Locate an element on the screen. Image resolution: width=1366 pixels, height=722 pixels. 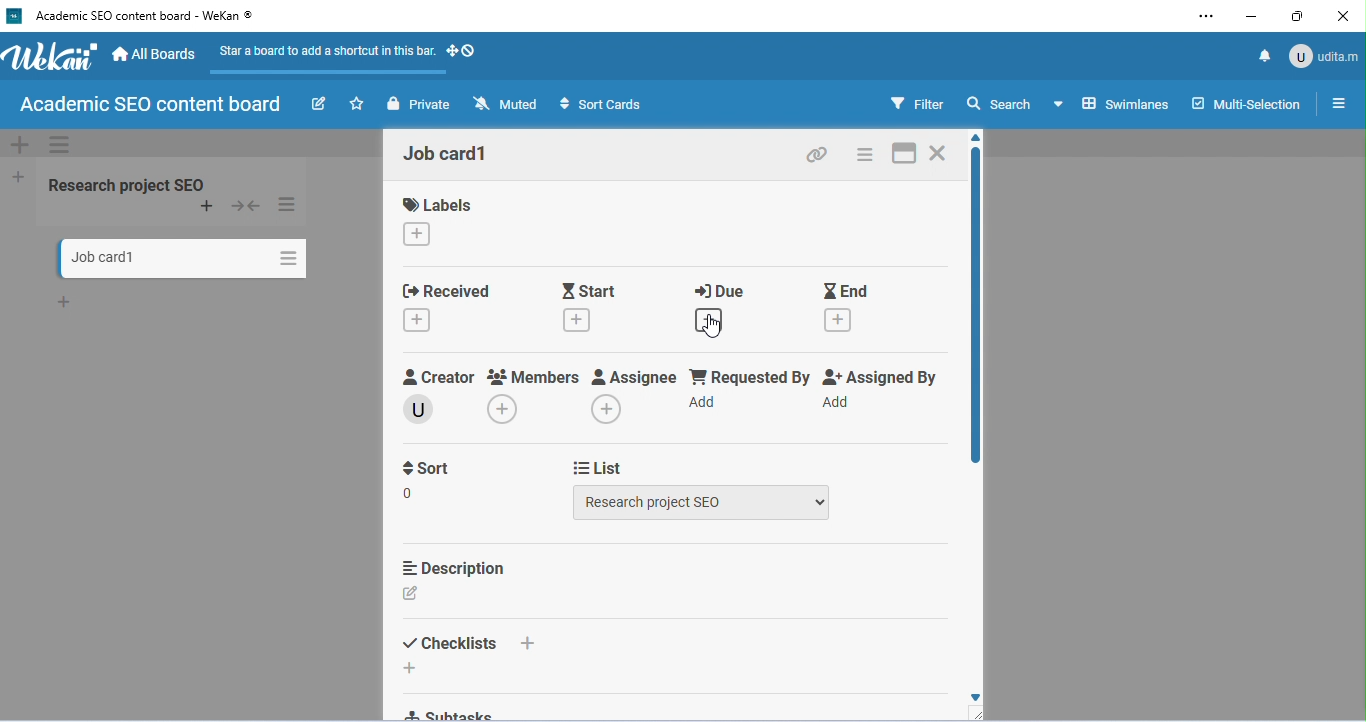
select list is located at coordinates (703, 504).